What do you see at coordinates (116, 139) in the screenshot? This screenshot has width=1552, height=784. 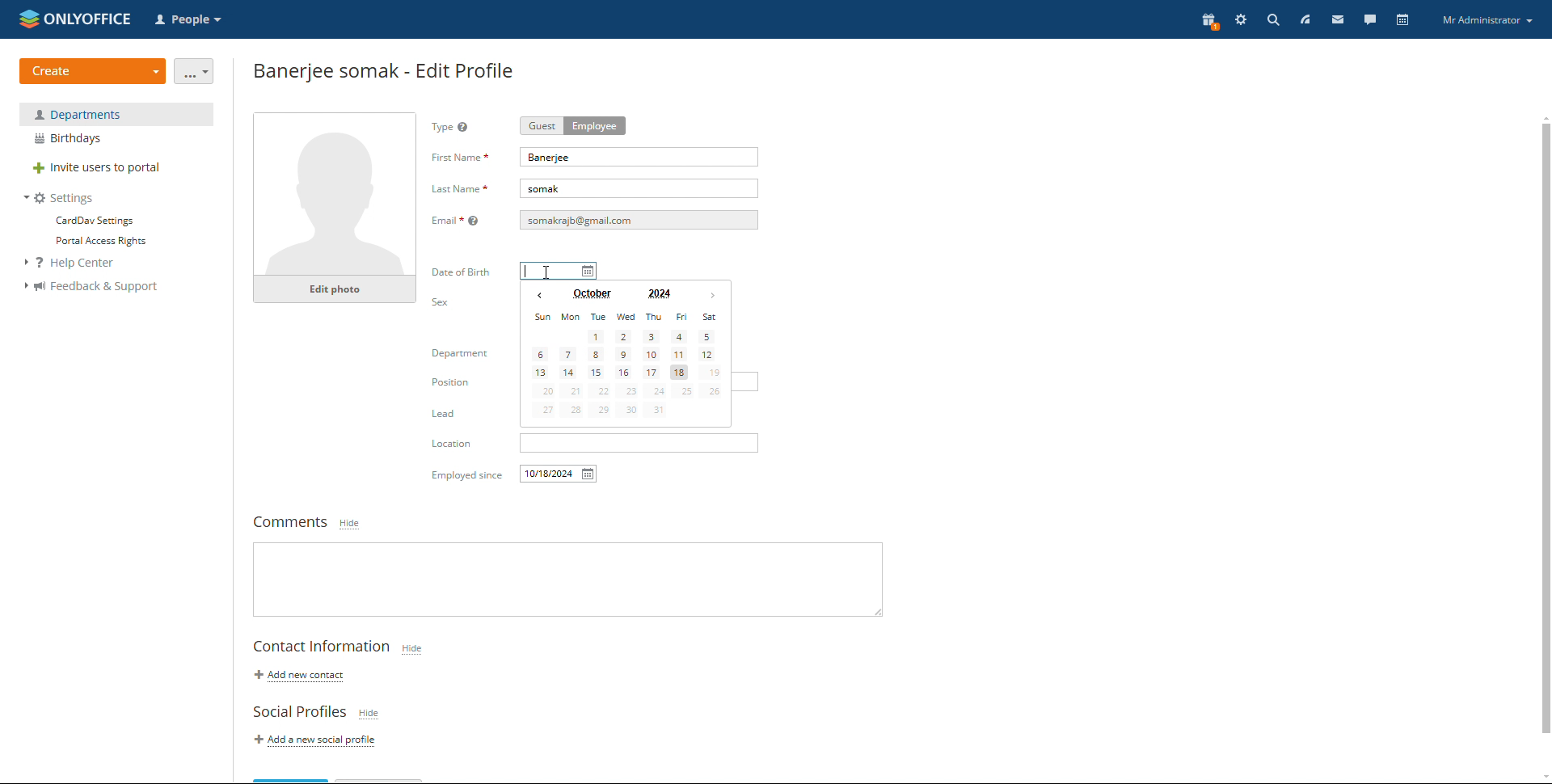 I see `birthdays` at bounding box center [116, 139].